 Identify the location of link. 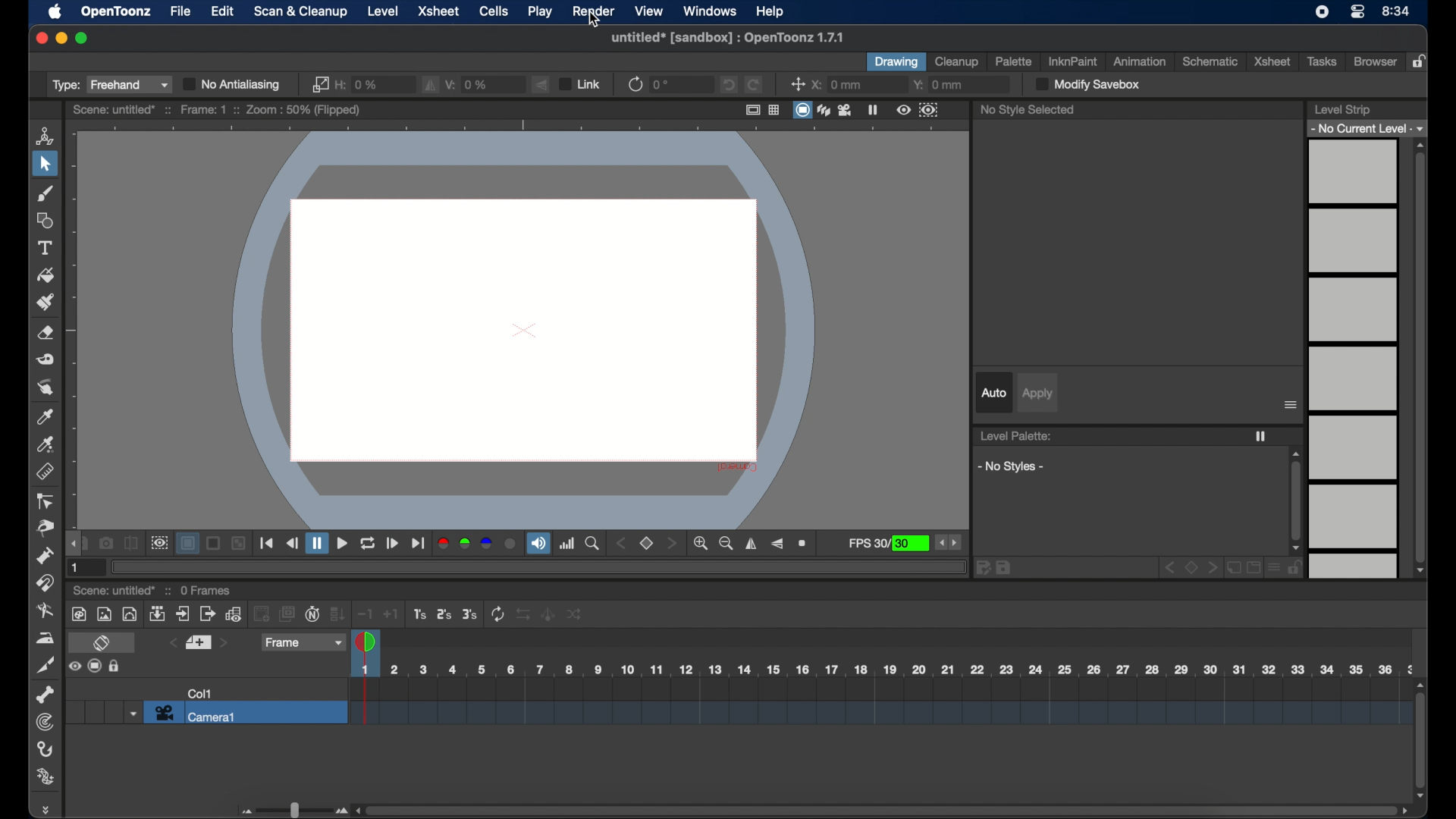
(318, 84).